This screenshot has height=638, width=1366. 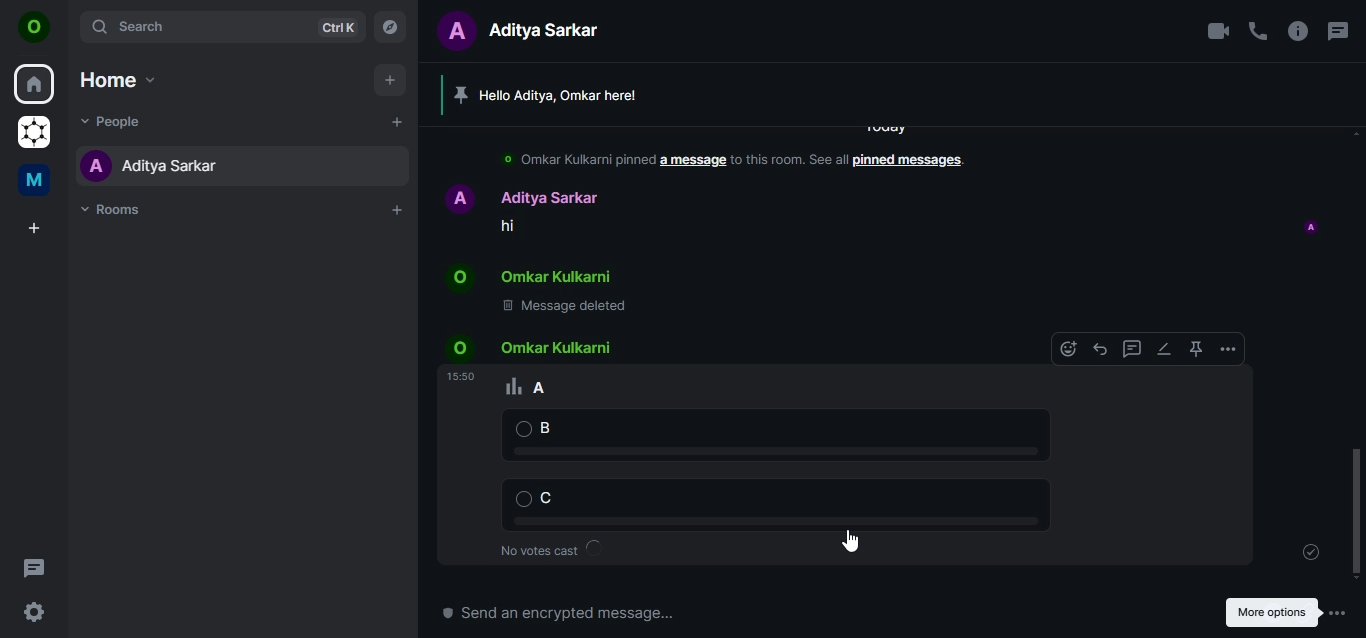 I want to click on video call, so click(x=1217, y=31).